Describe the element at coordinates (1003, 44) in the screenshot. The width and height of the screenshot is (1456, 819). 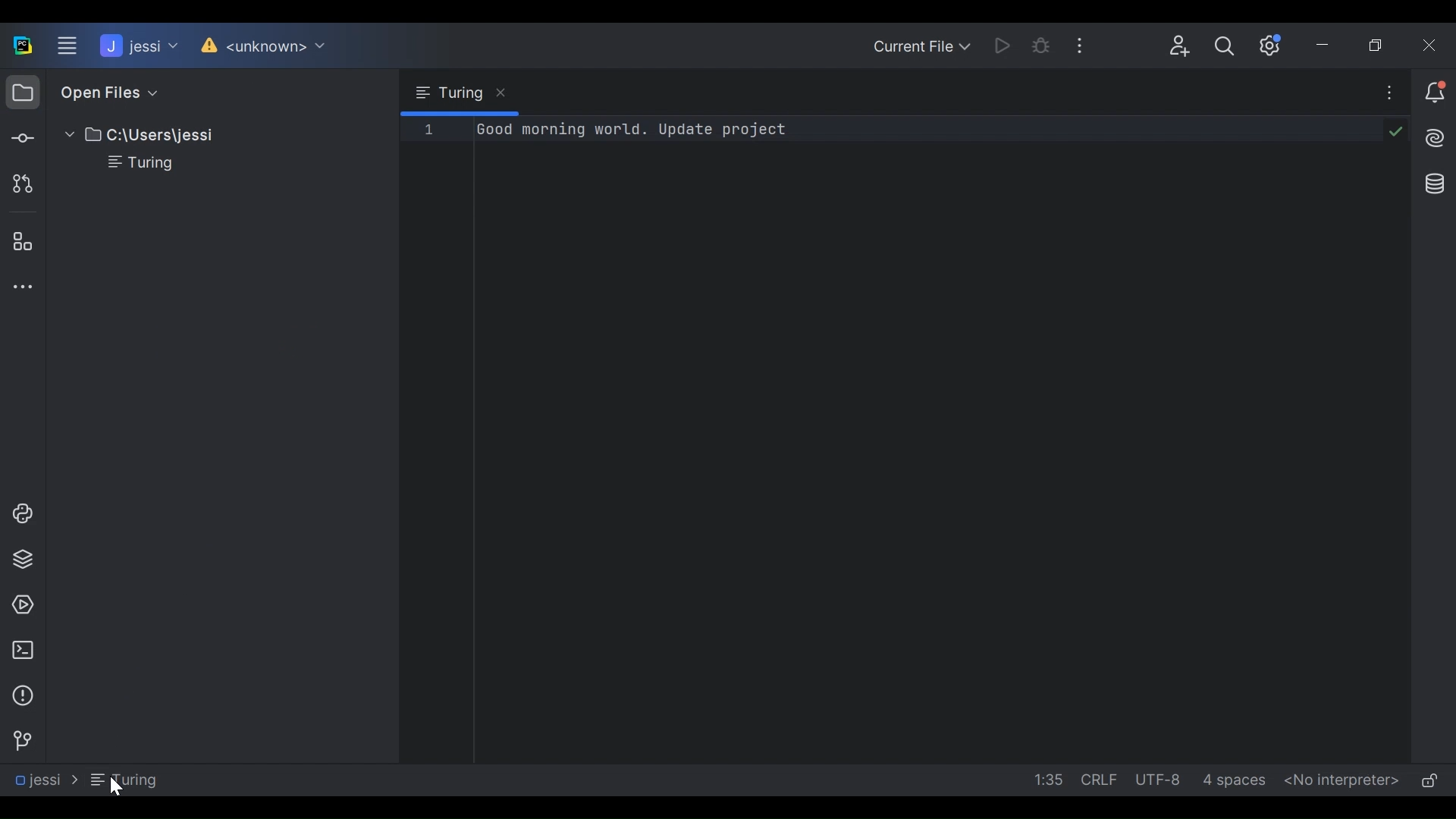
I see `Run` at that location.